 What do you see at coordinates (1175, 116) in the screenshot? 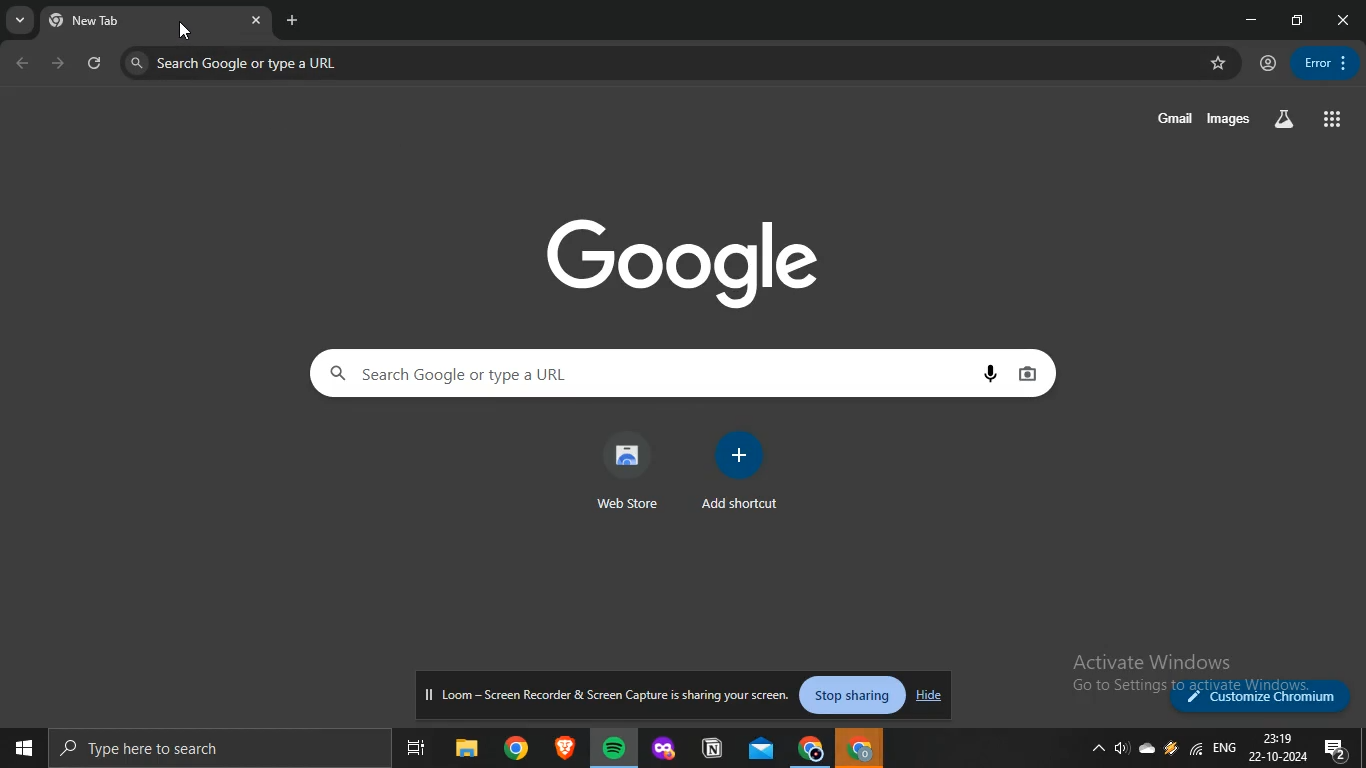
I see `gmail` at bounding box center [1175, 116].